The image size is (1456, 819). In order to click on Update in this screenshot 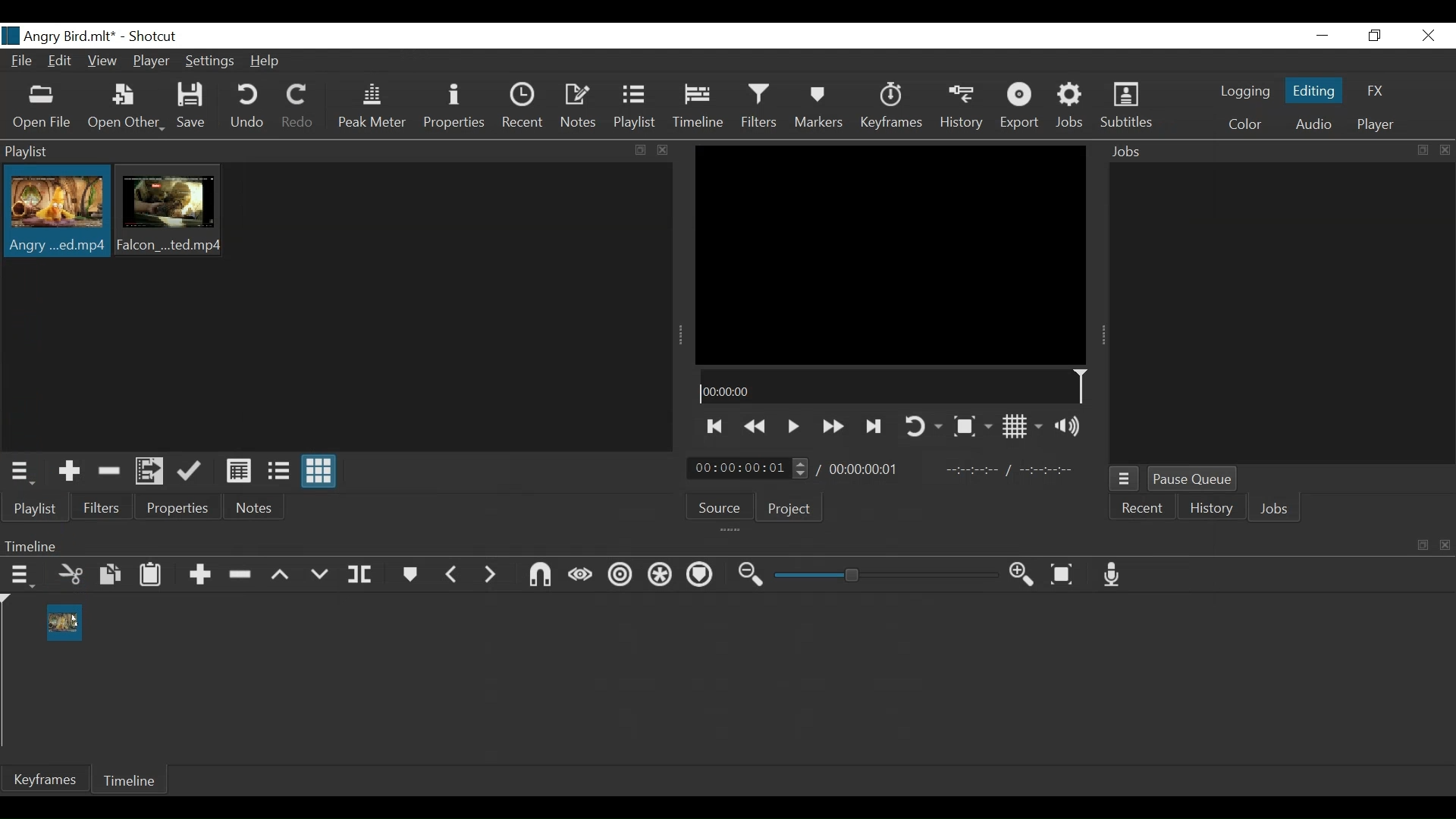, I will do `click(192, 472)`.